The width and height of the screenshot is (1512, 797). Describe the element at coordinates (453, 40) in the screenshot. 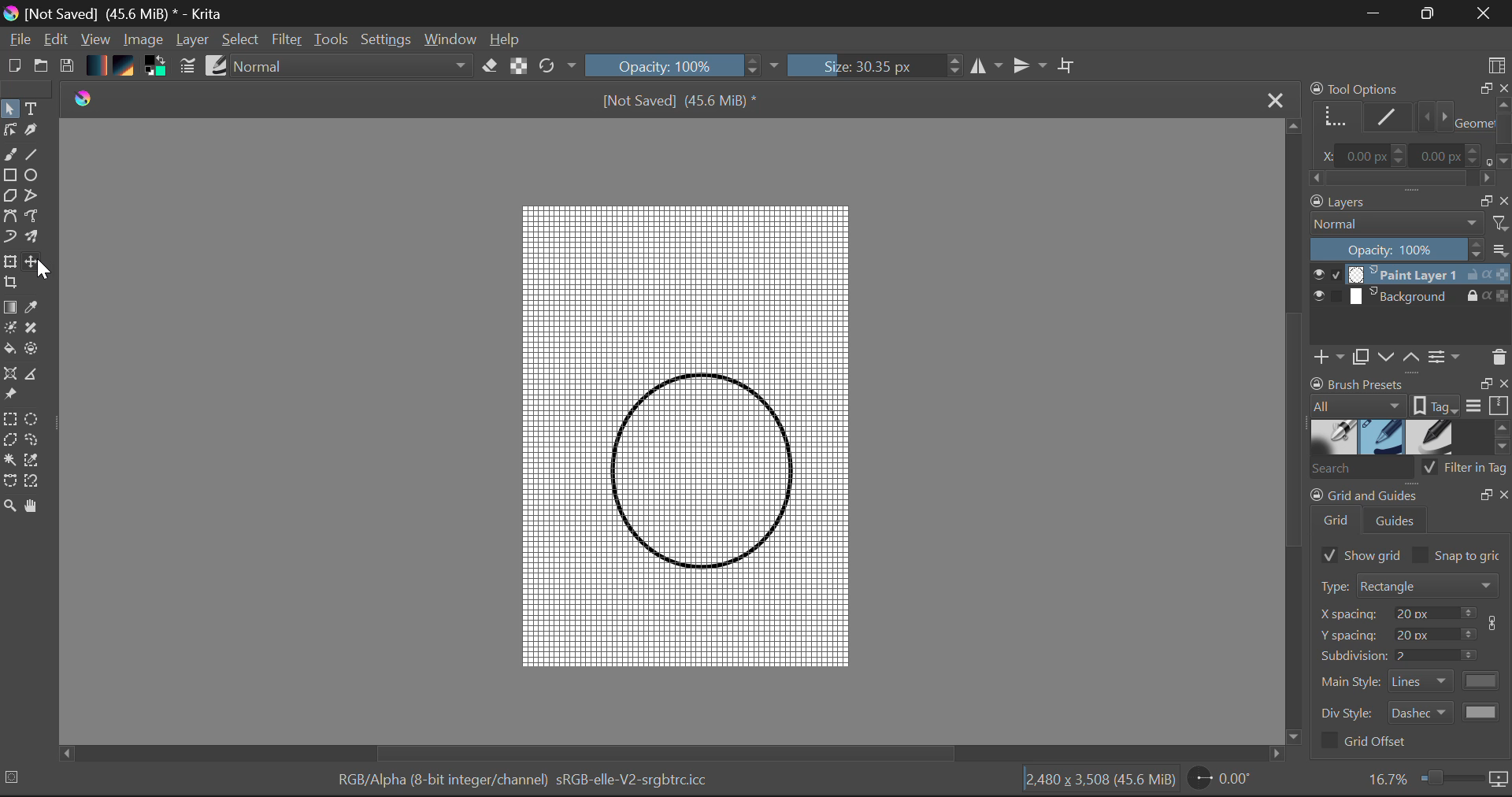

I see `Window` at that location.